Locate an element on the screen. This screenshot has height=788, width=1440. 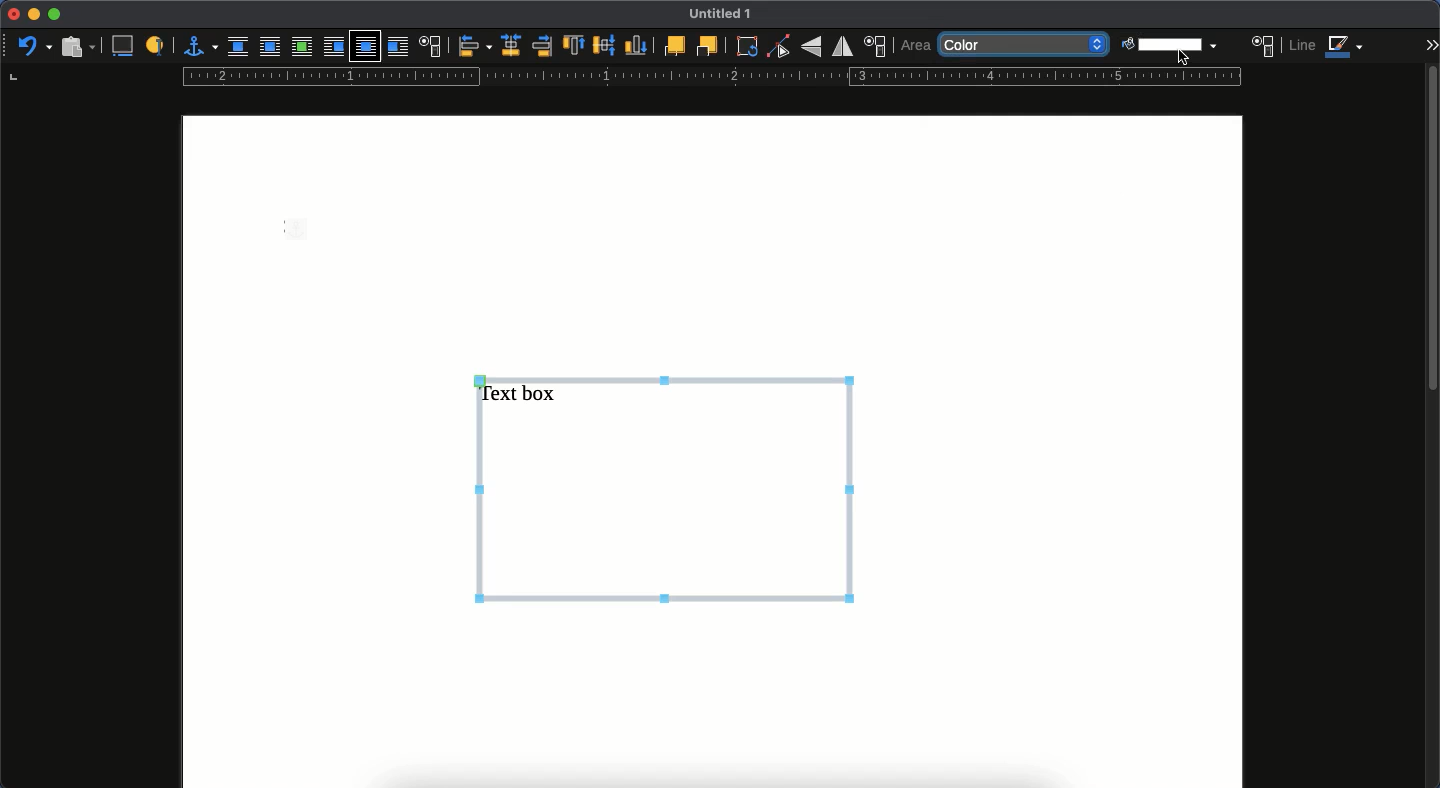
rotate horizontally  is located at coordinates (843, 46).